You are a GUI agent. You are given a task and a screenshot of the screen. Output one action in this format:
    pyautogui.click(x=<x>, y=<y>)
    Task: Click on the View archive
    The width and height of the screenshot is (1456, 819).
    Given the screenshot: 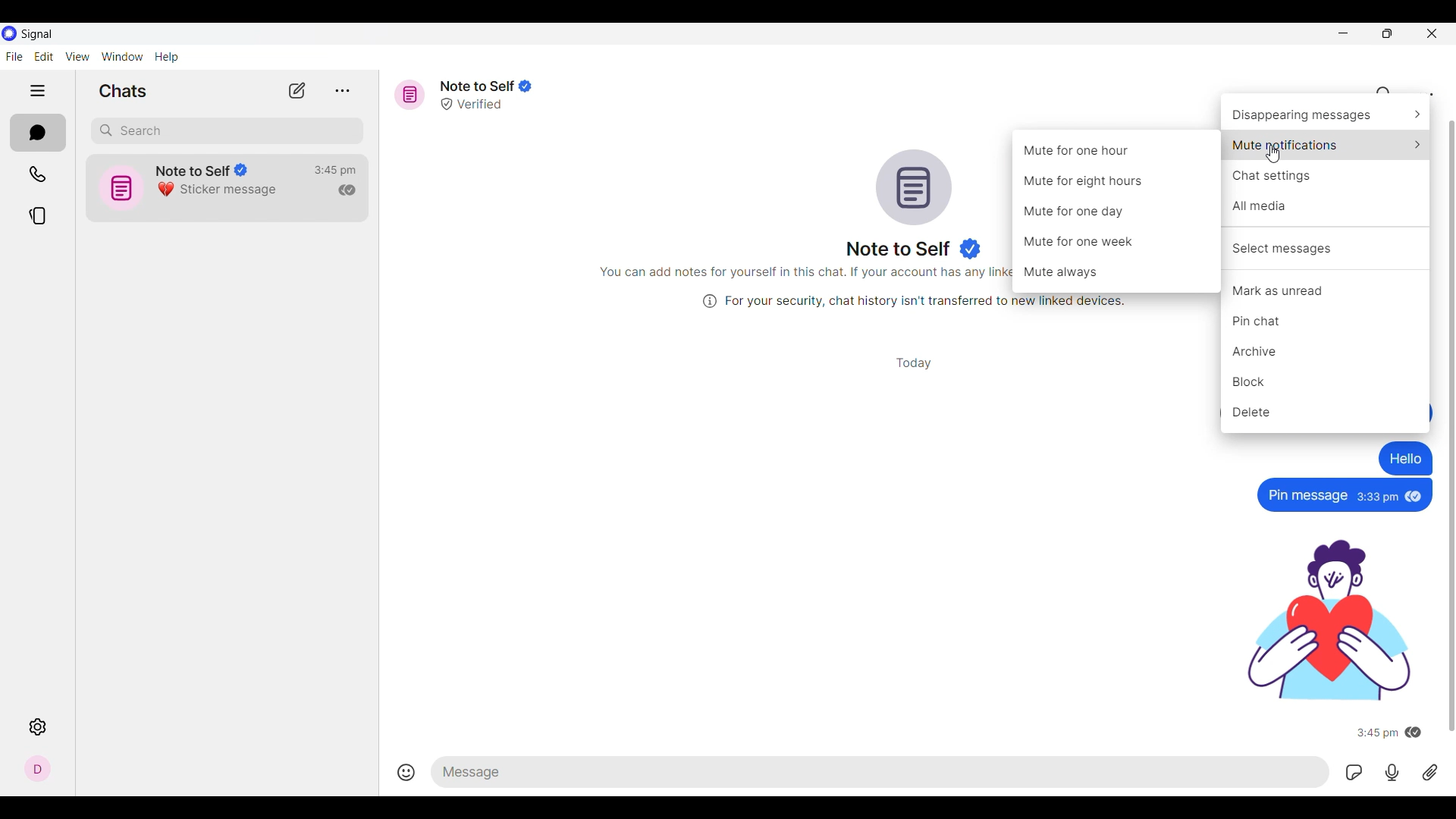 What is the action you would take?
    pyautogui.click(x=342, y=91)
    